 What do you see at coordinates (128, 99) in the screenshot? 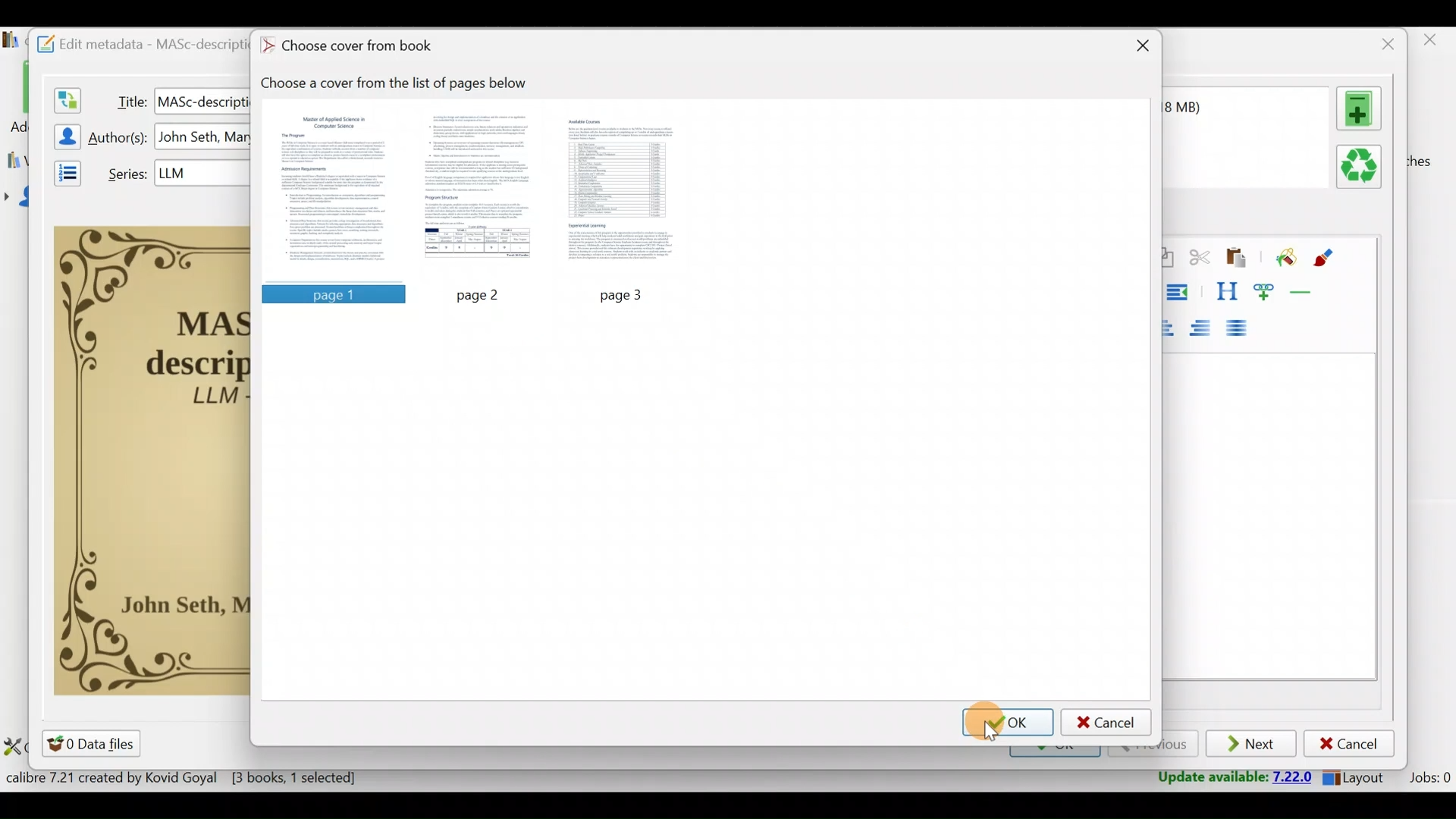
I see `Title` at bounding box center [128, 99].